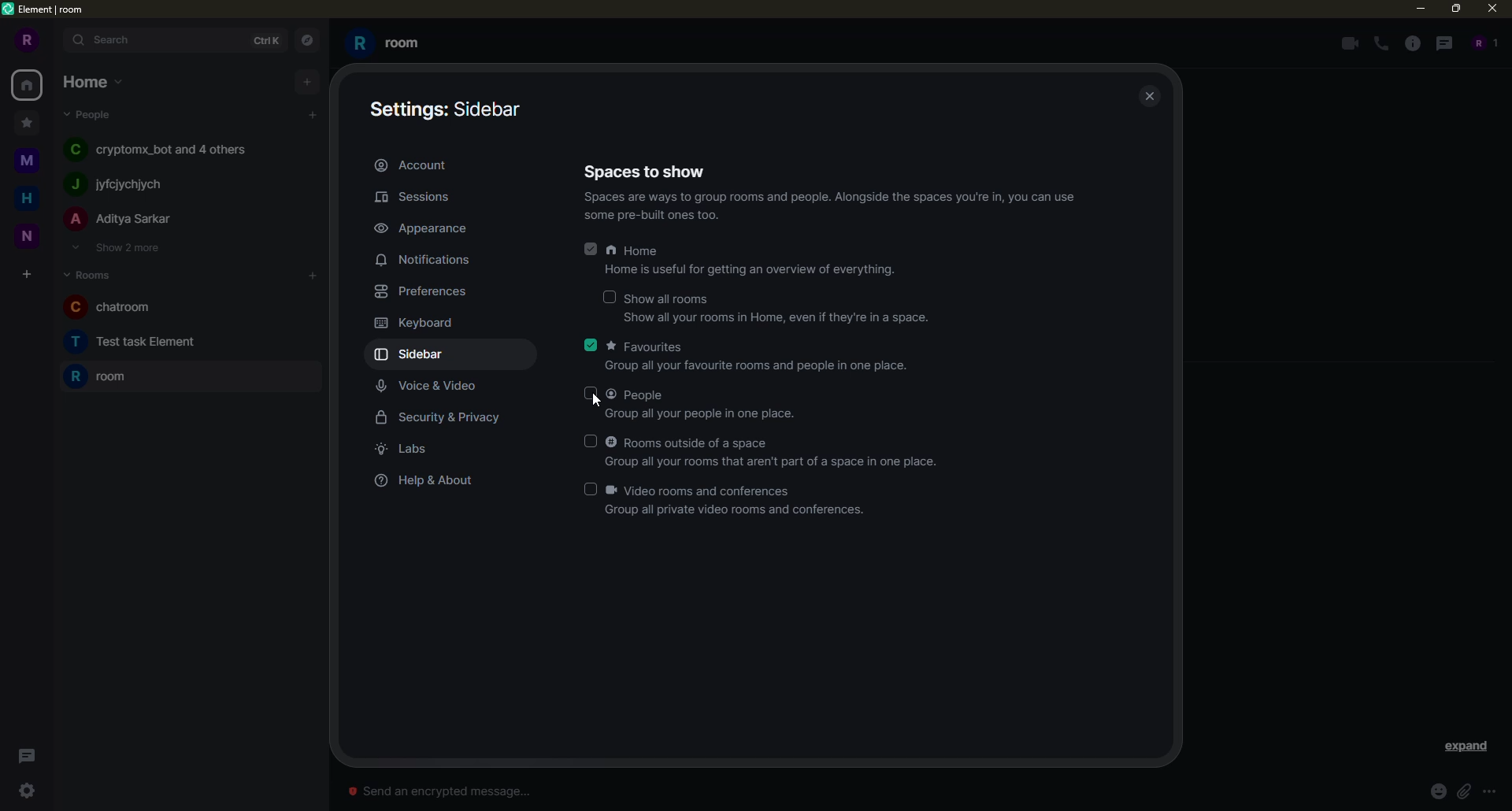 This screenshot has width=1512, height=811. What do you see at coordinates (24, 41) in the screenshot?
I see `r` at bounding box center [24, 41].